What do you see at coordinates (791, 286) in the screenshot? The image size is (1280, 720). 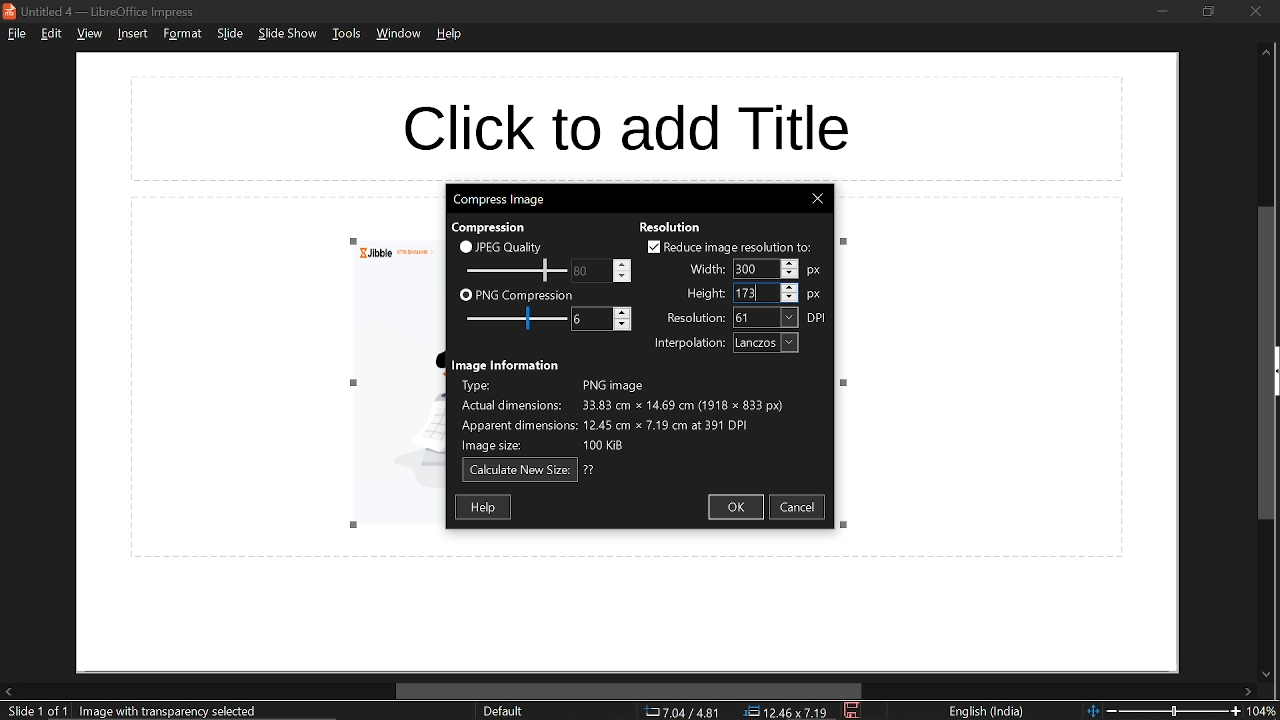 I see `Increase ` at bounding box center [791, 286].